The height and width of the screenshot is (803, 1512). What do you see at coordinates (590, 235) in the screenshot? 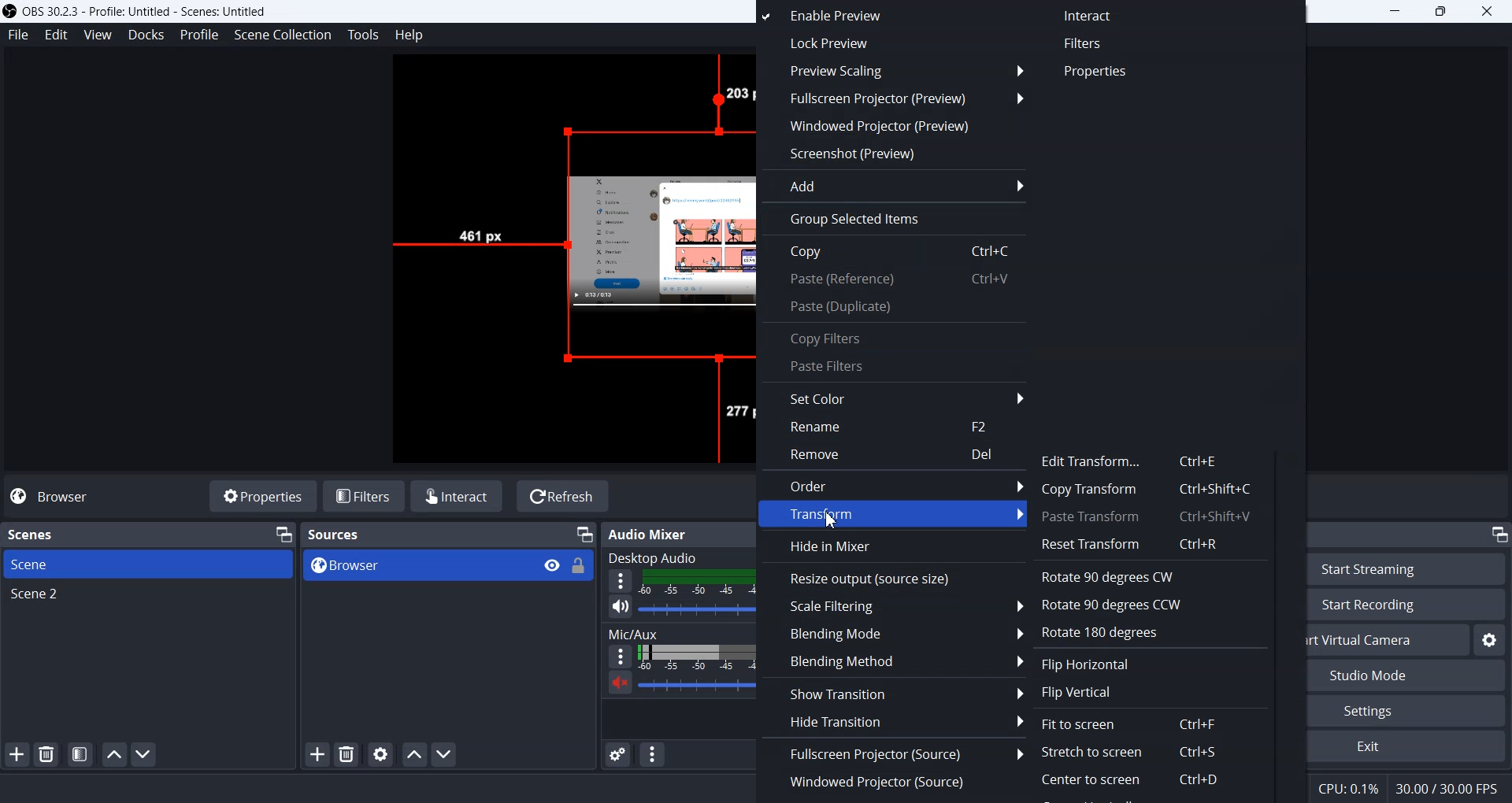
I see `Source` at bounding box center [590, 235].